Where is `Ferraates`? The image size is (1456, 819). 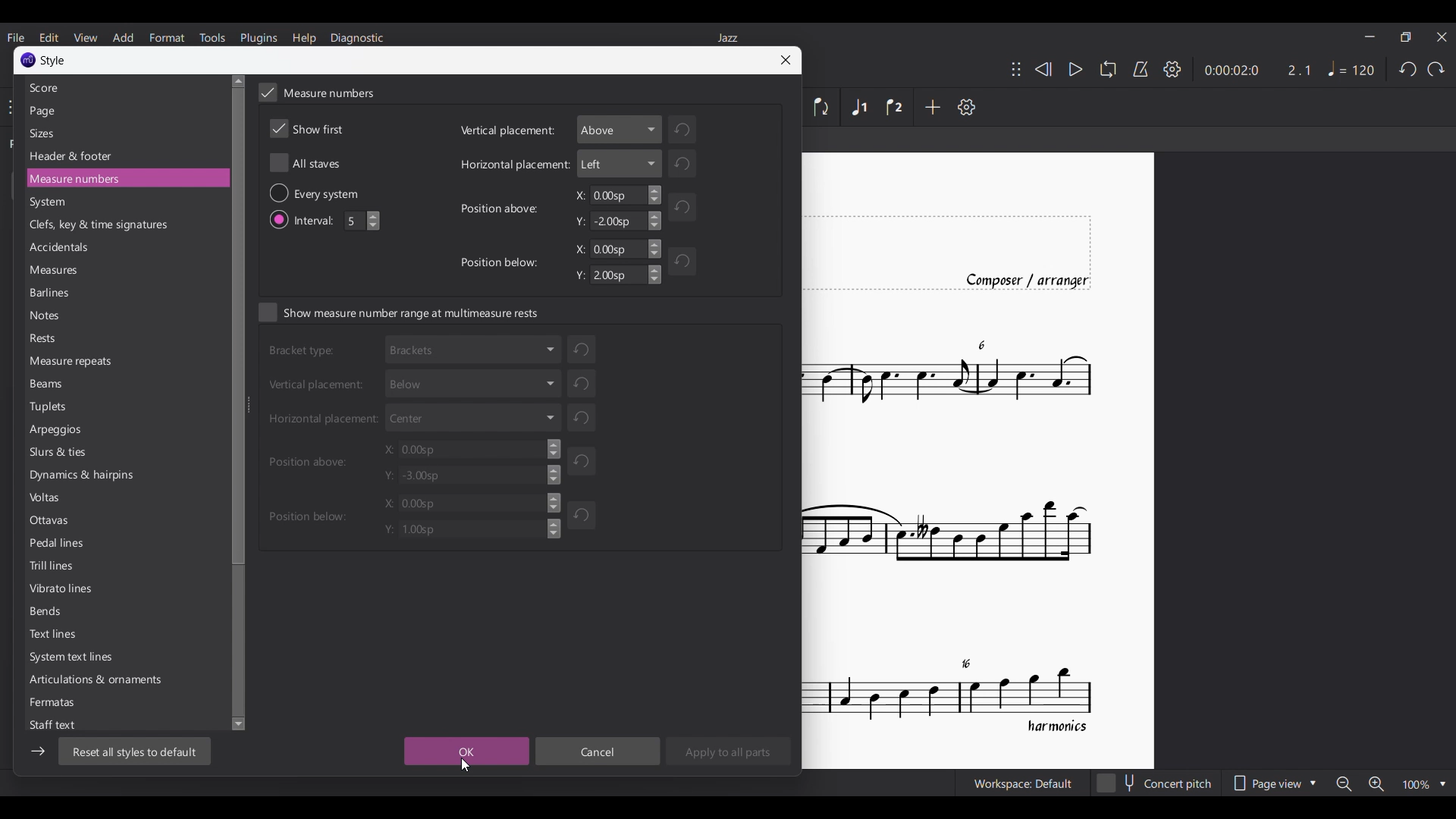 Ferraates is located at coordinates (54, 701).